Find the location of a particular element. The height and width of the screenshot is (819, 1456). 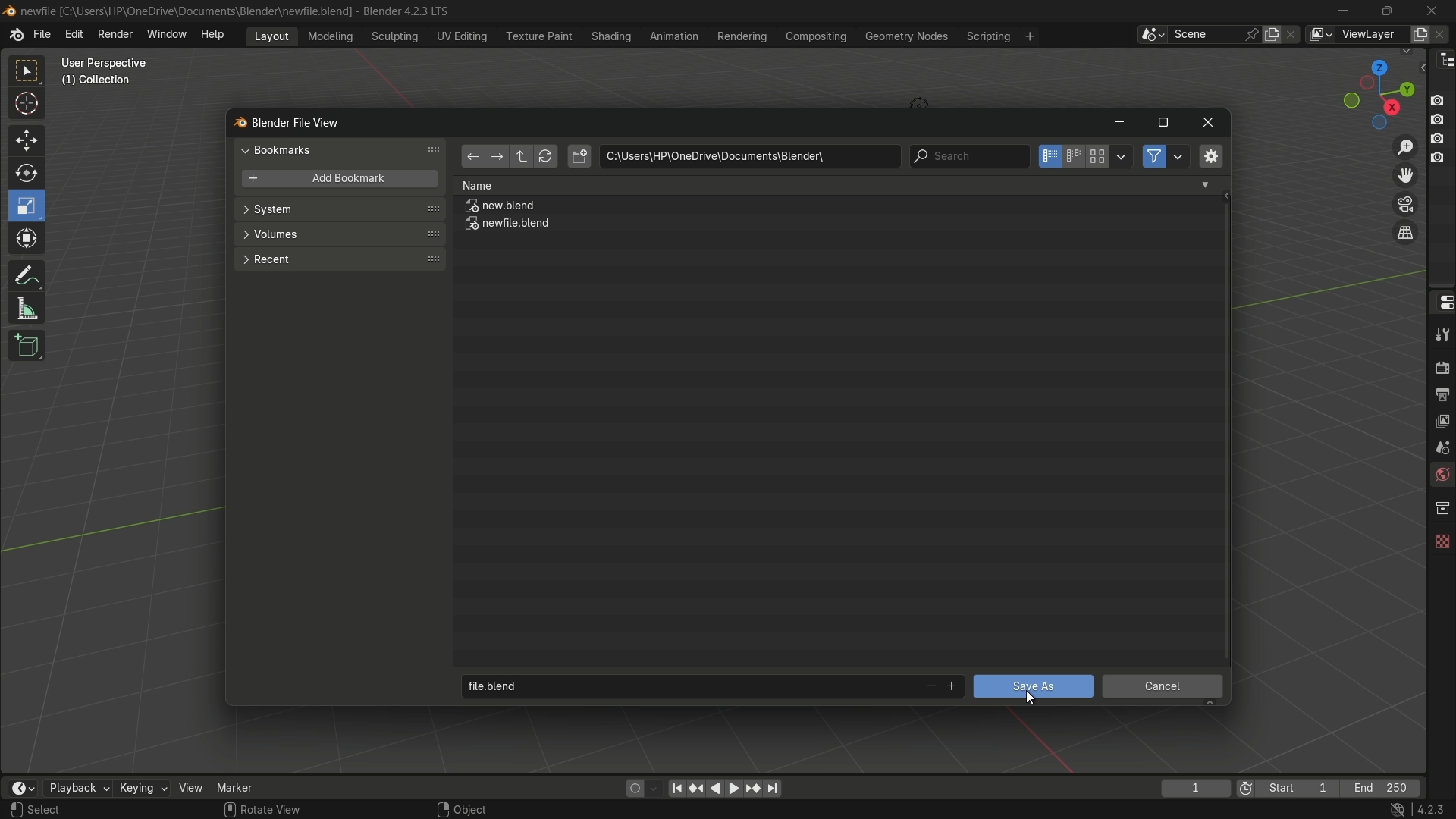

volumes is located at coordinates (338, 234).